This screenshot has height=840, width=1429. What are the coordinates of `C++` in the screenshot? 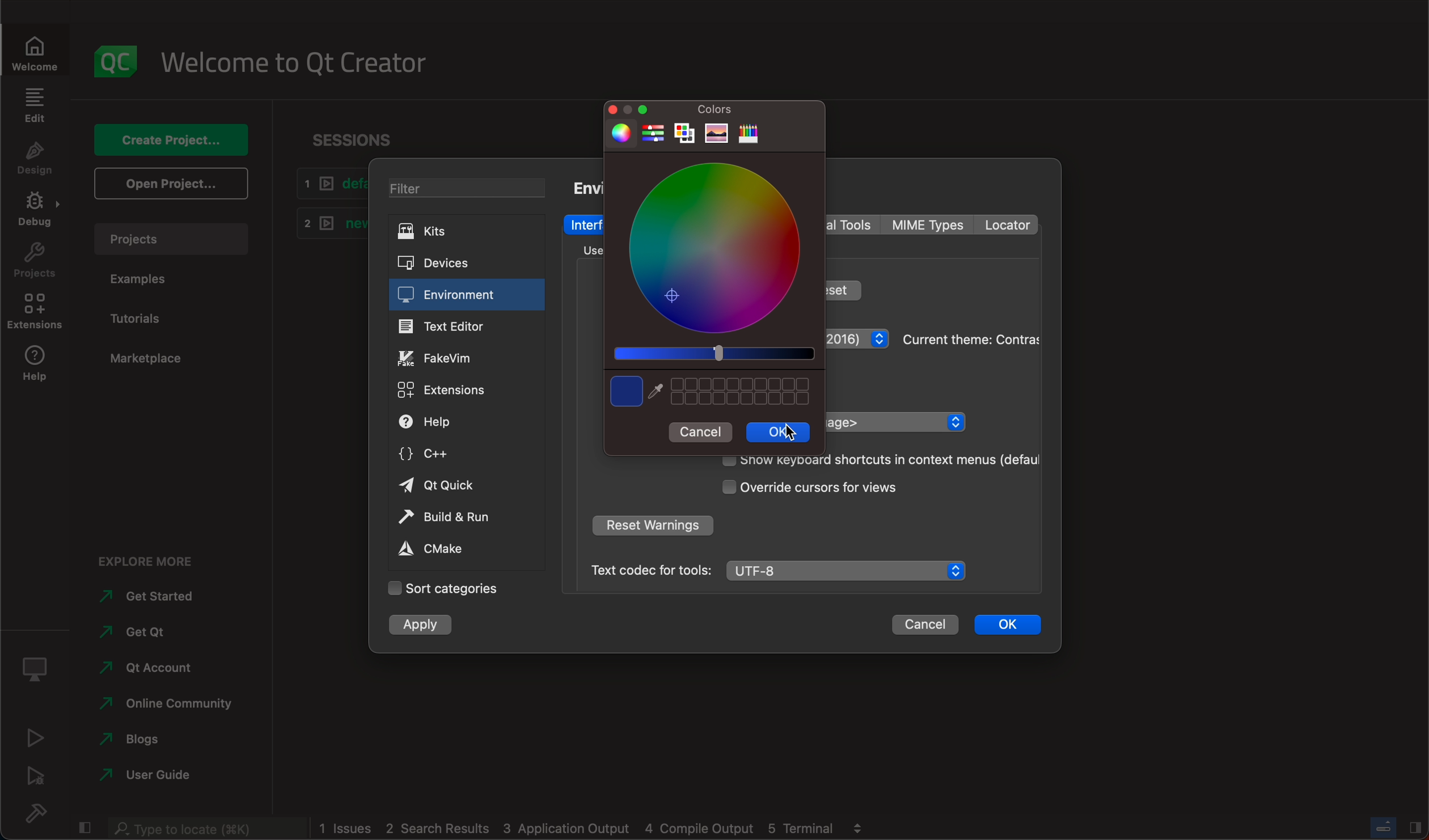 It's located at (462, 452).